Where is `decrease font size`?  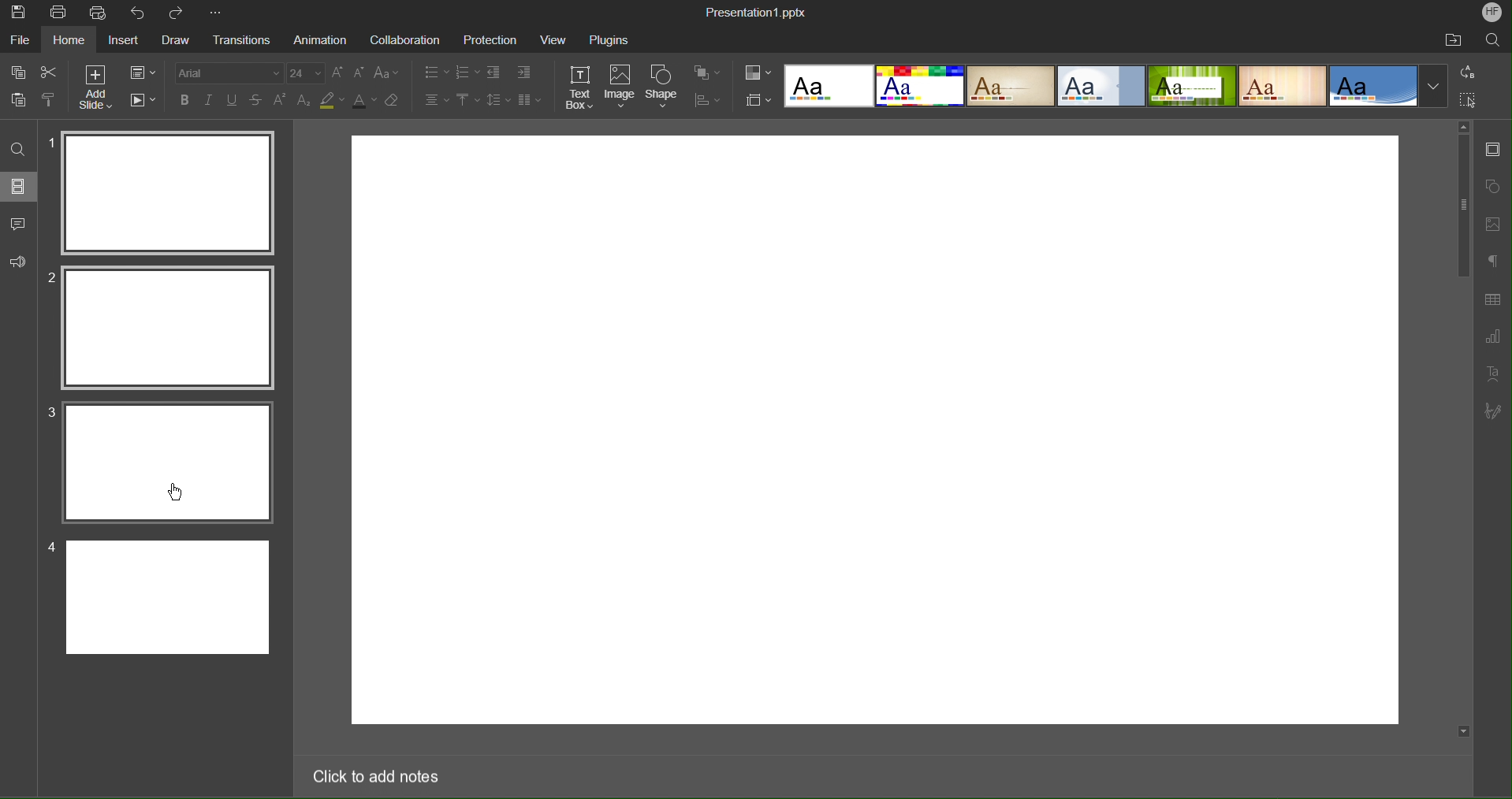 decrease font size is located at coordinates (357, 72).